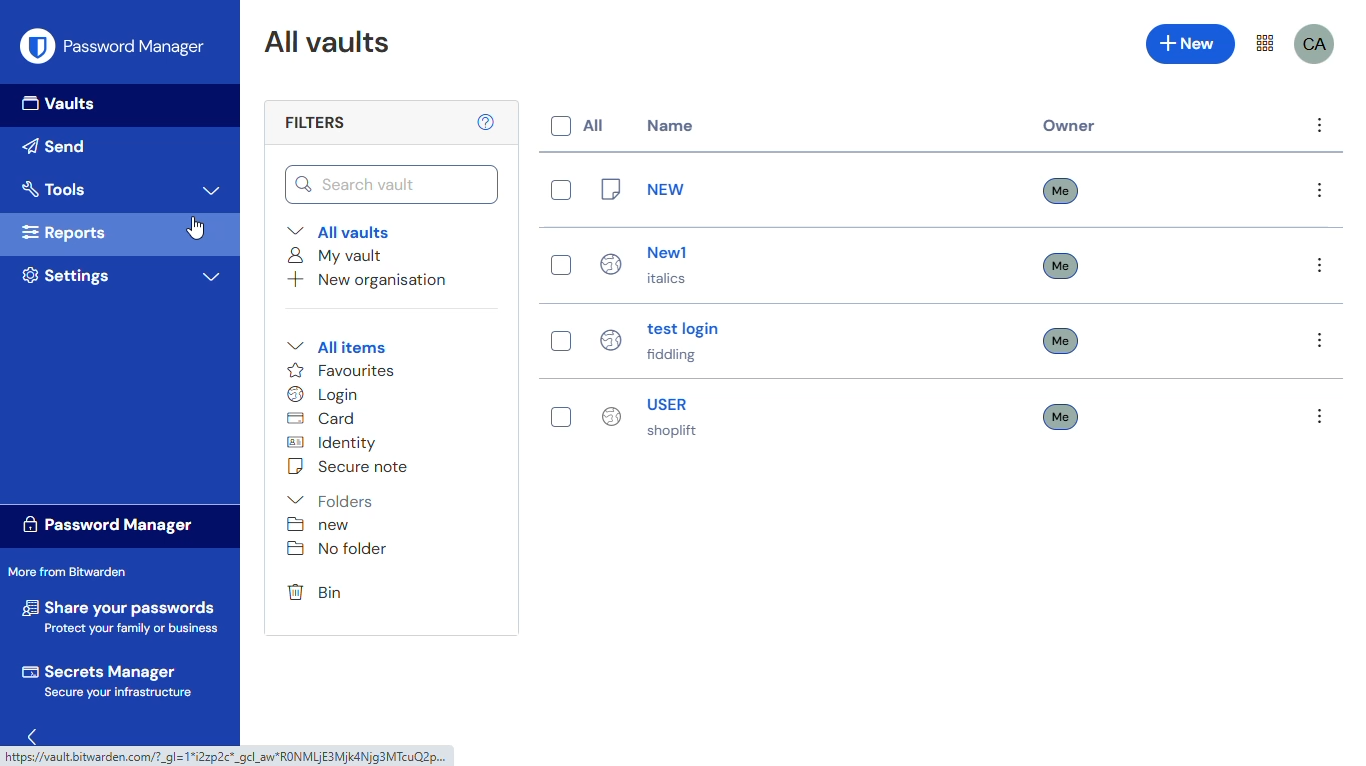 The width and height of the screenshot is (1366, 766). I want to click on vaults, so click(61, 102).